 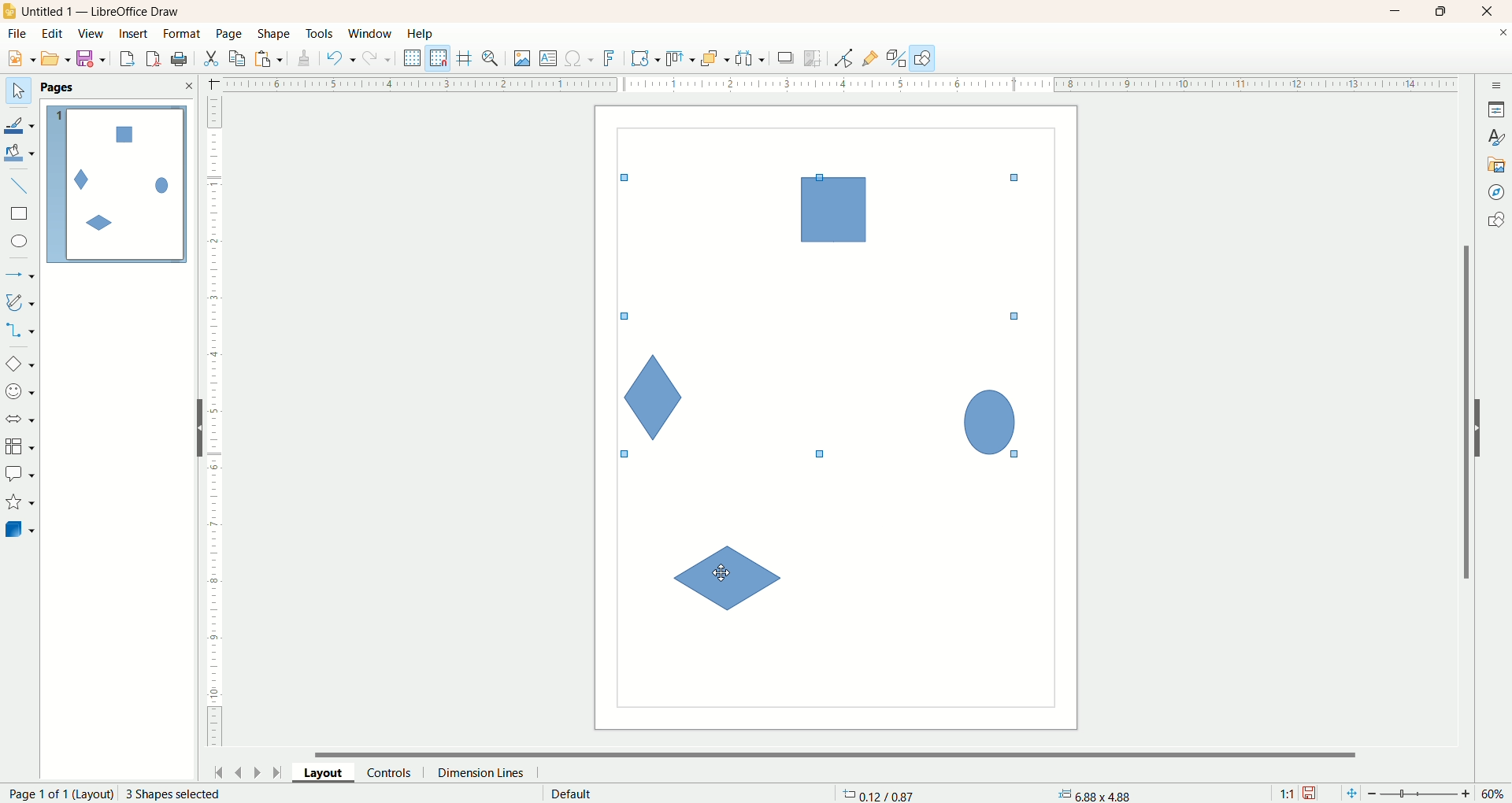 What do you see at coordinates (214, 425) in the screenshot?
I see `scale bar` at bounding box center [214, 425].